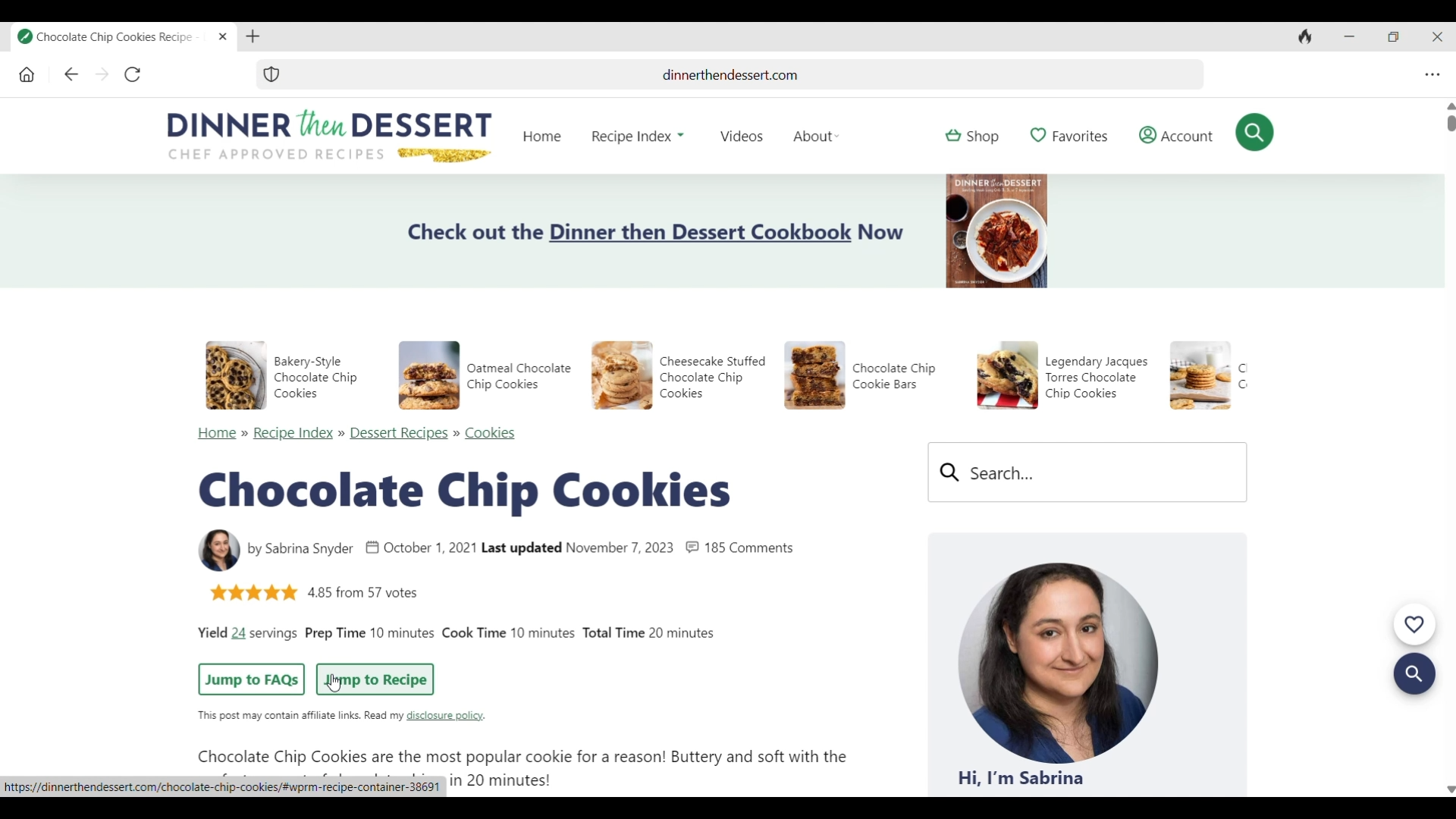  Describe the element at coordinates (491, 434) in the screenshot. I see `Cookies` at that location.